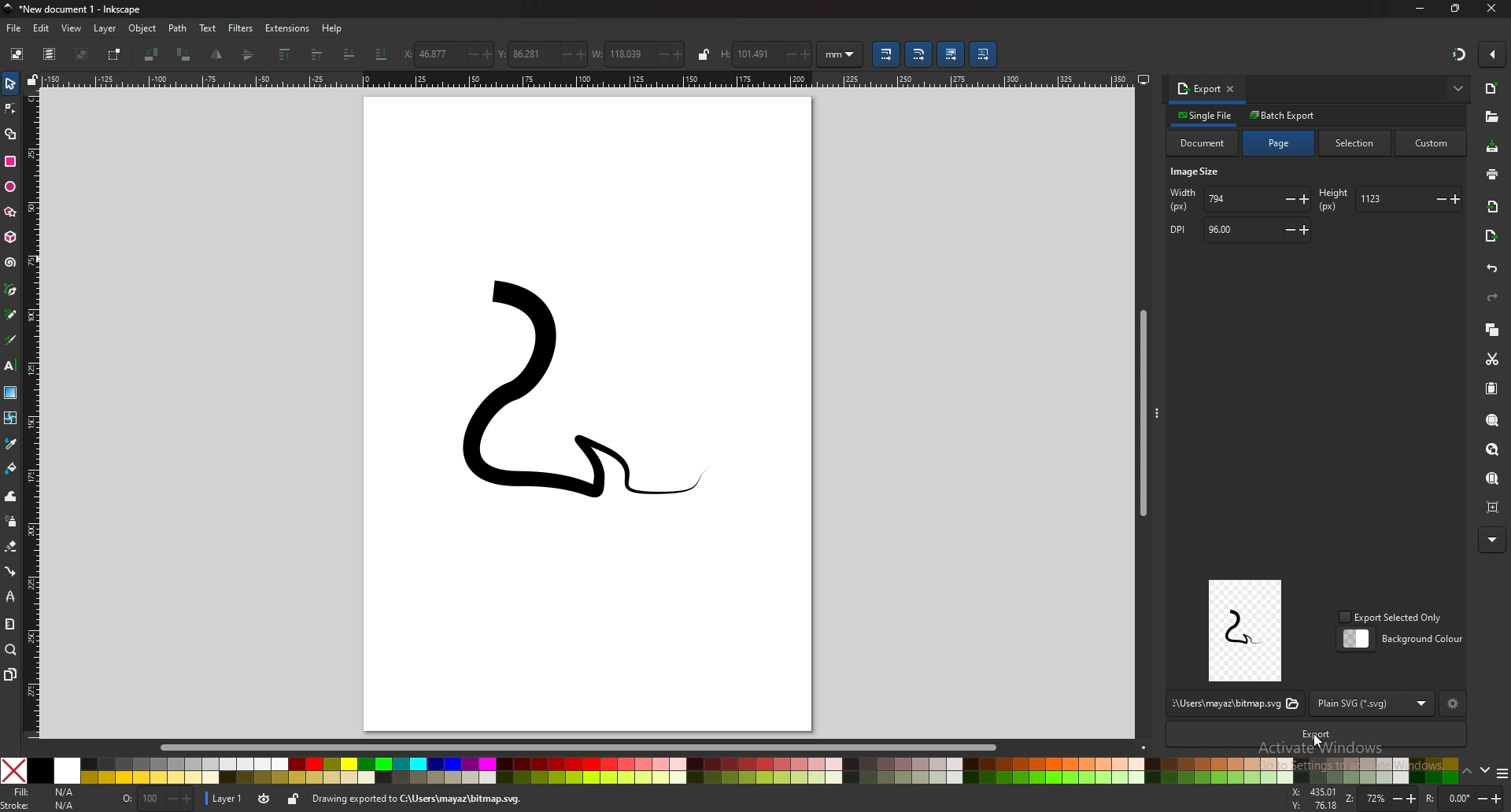 This screenshot has height=812, width=1511. What do you see at coordinates (1203, 143) in the screenshot?
I see `document` at bounding box center [1203, 143].